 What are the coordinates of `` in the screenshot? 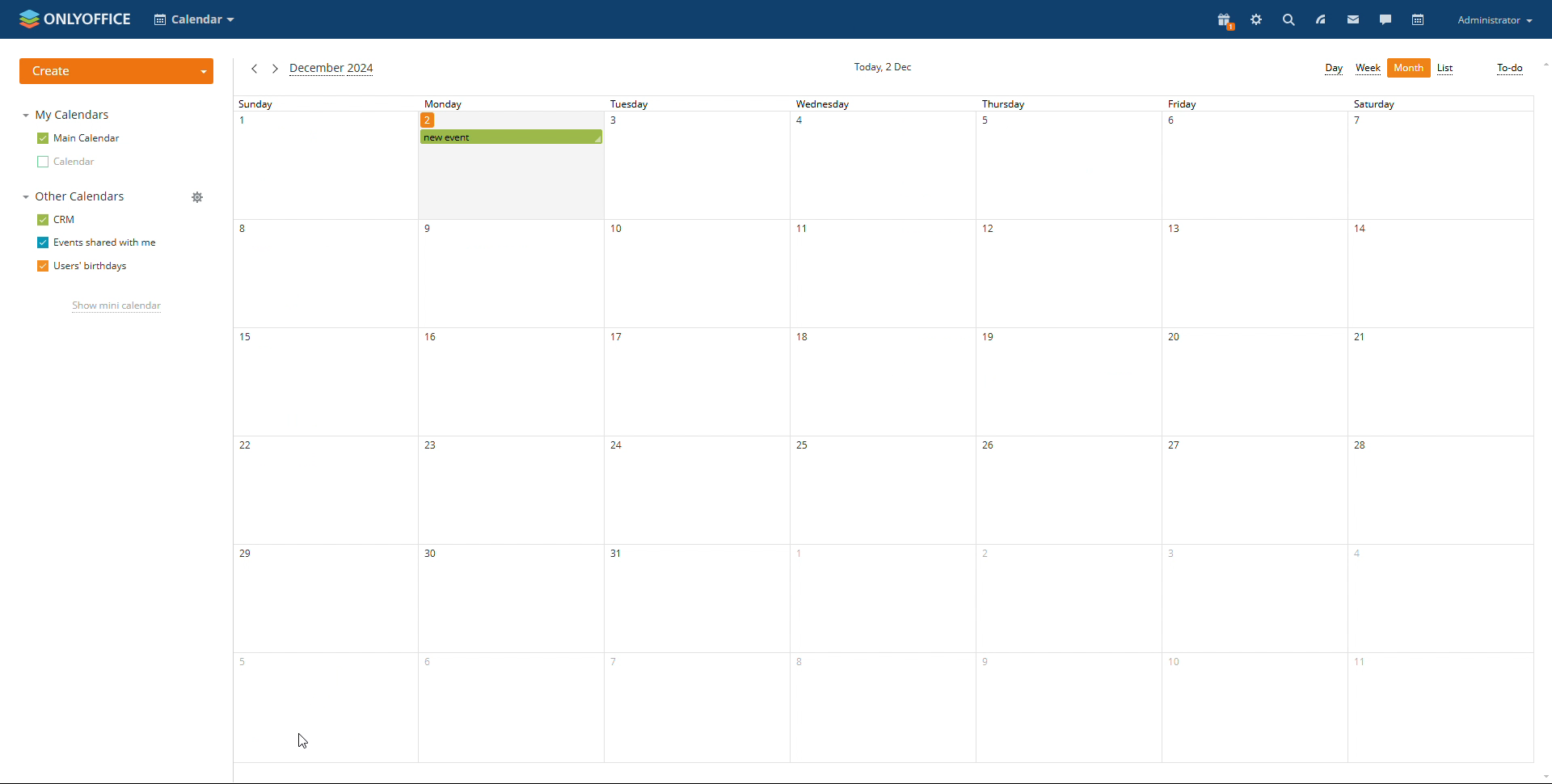 It's located at (331, 69).